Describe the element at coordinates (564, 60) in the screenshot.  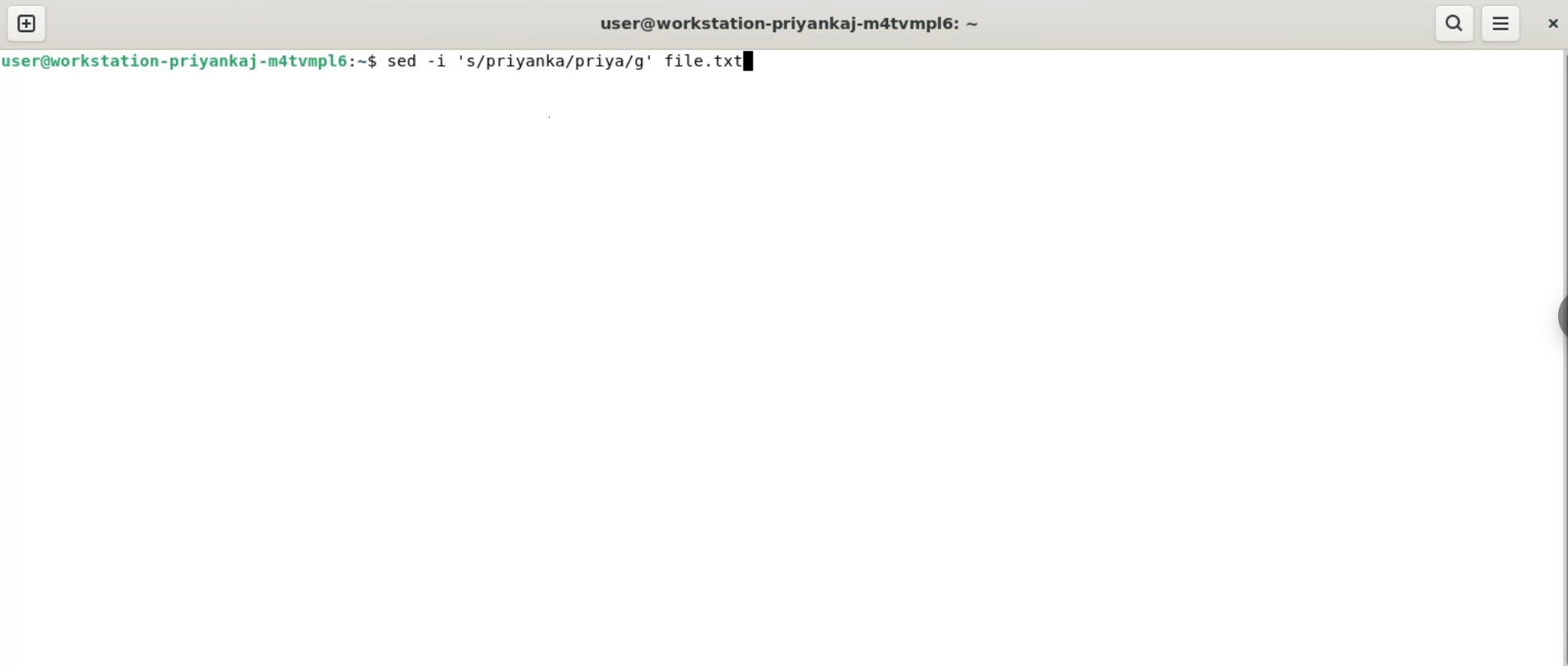
I see `sed -i 's/priyanka/priya/g' file.txt` at that location.